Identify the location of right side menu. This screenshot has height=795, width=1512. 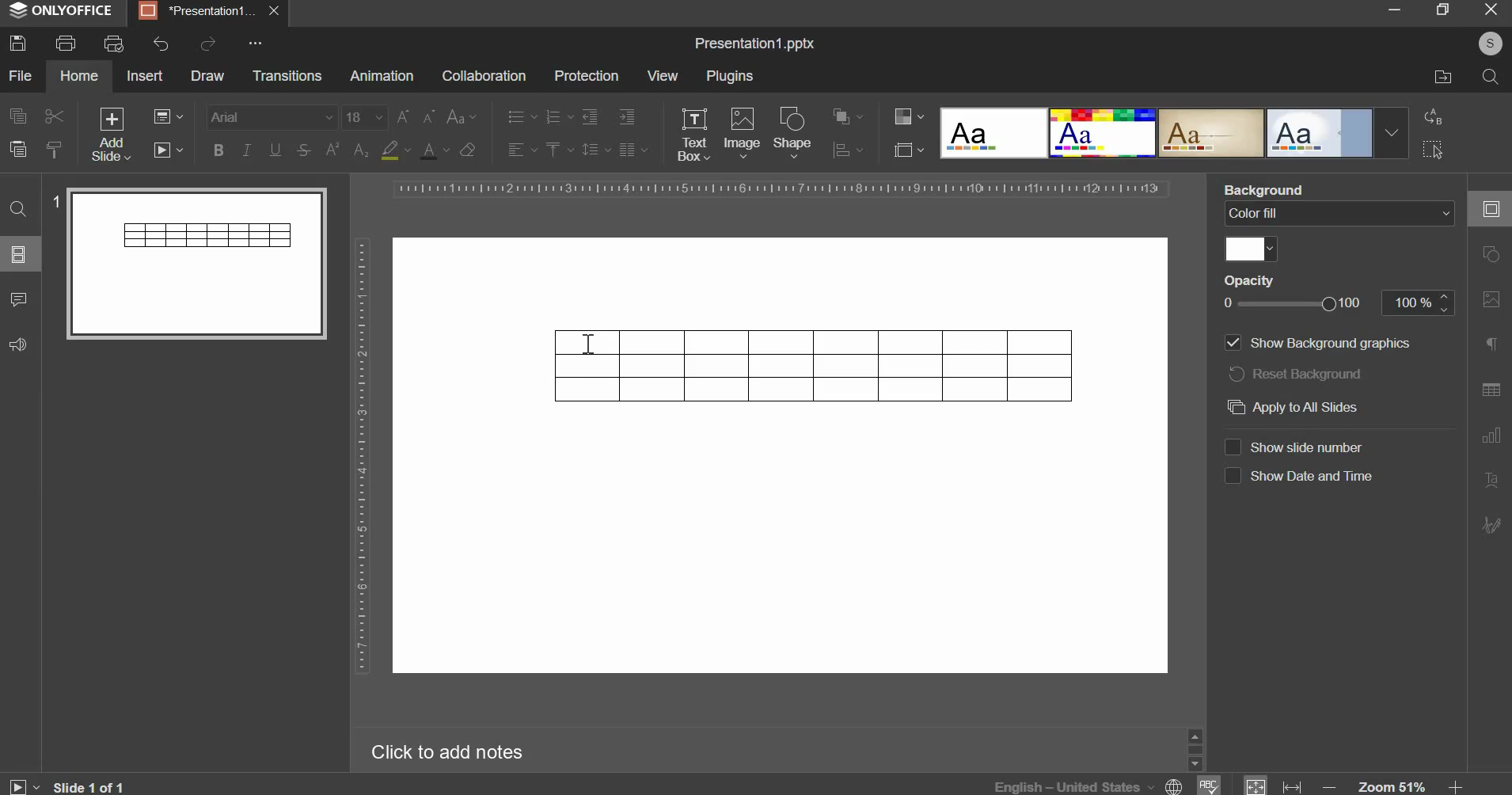
(1491, 371).